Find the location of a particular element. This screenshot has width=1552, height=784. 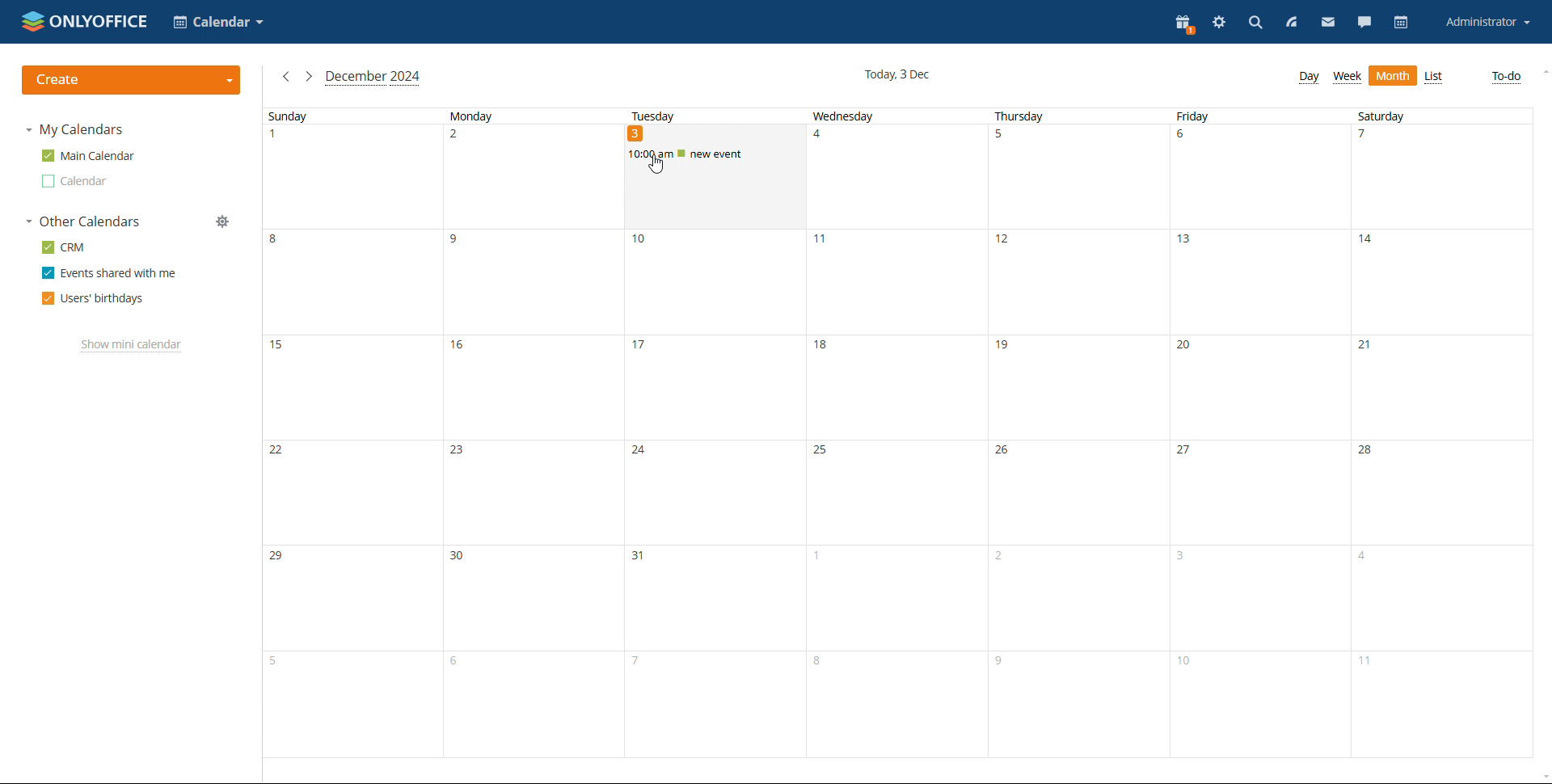

1 is located at coordinates (351, 177).